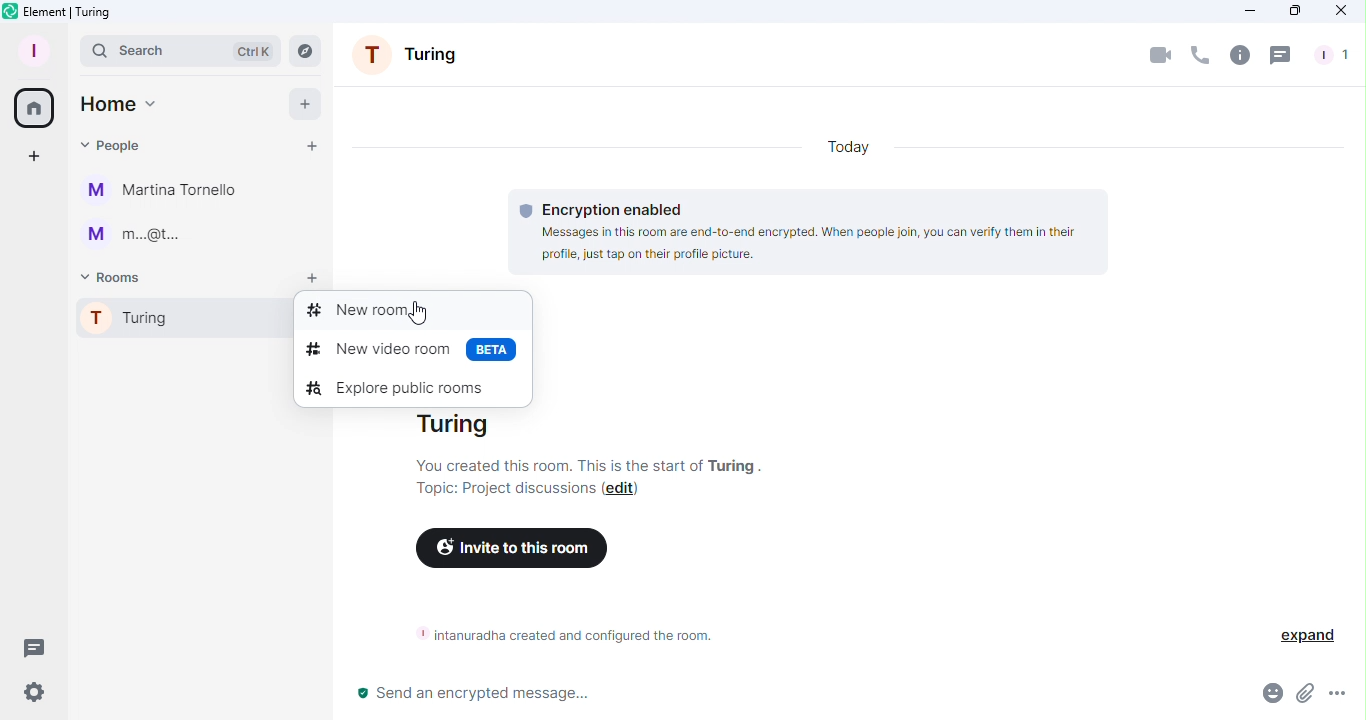  I want to click on Add room, so click(314, 279).